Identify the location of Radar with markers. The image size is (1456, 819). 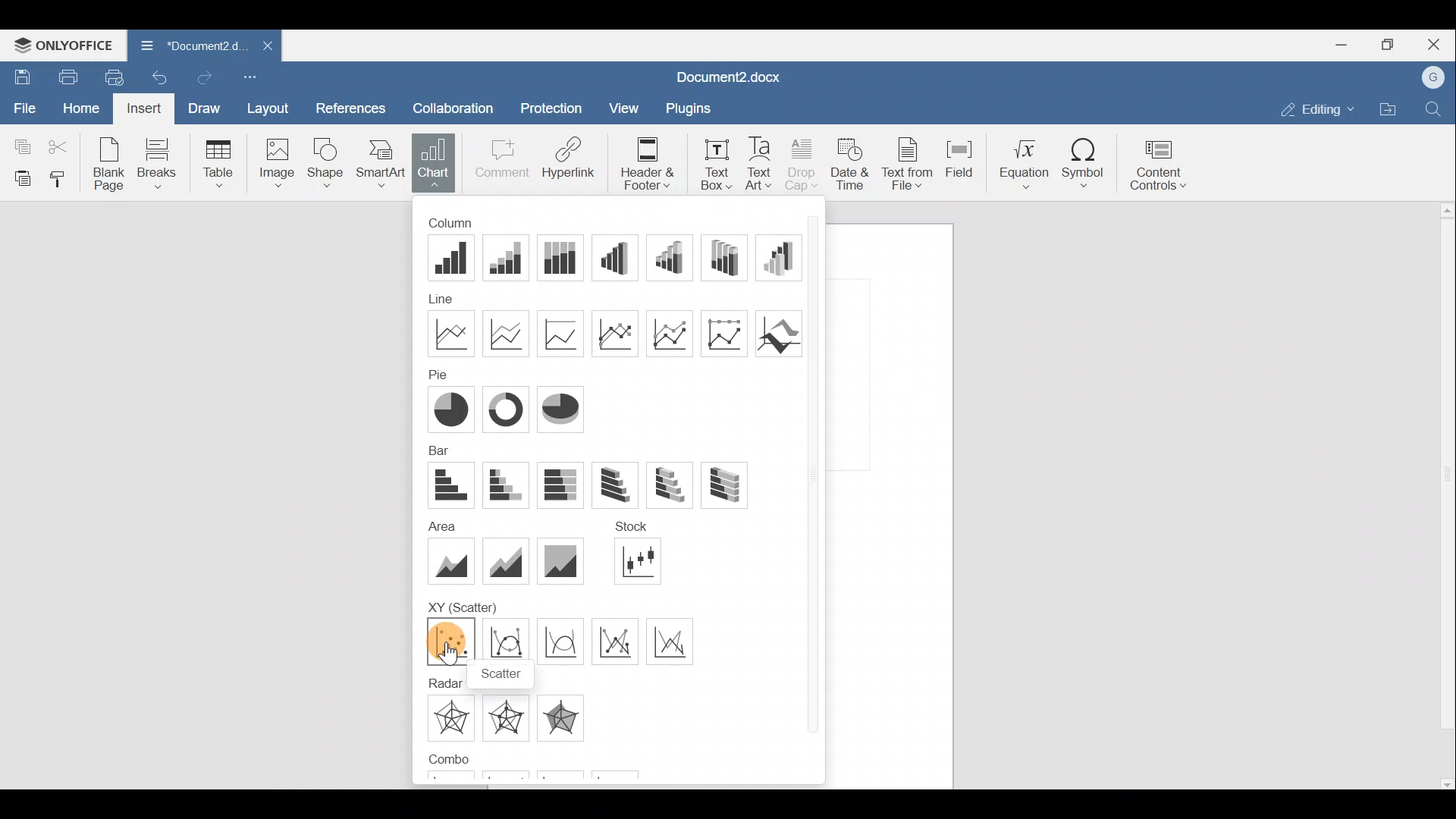
(511, 718).